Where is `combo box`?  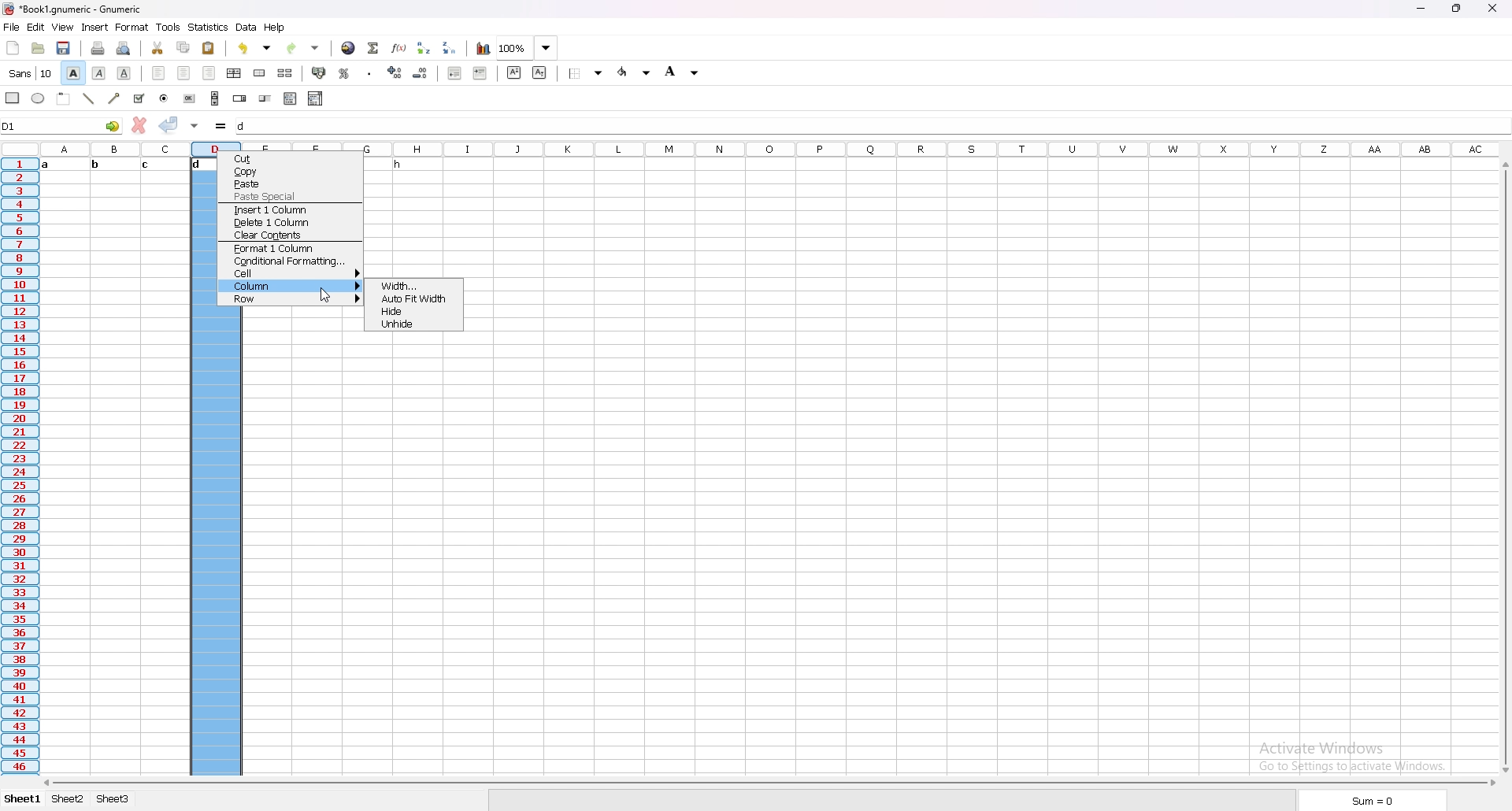 combo box is located at coordinates (317, 98).